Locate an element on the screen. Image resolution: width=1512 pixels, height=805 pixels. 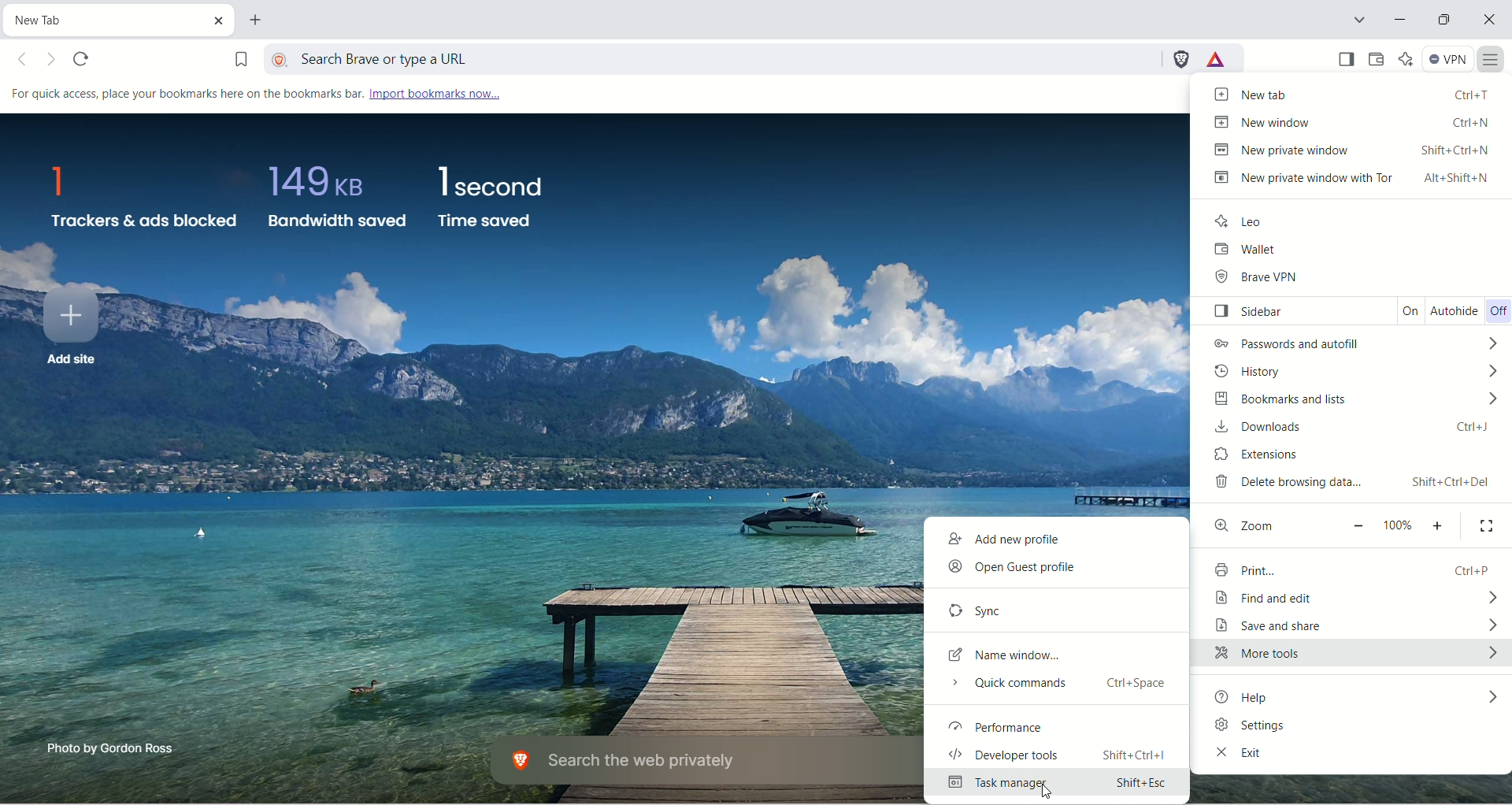
add site is located at coordinates (69, 331).